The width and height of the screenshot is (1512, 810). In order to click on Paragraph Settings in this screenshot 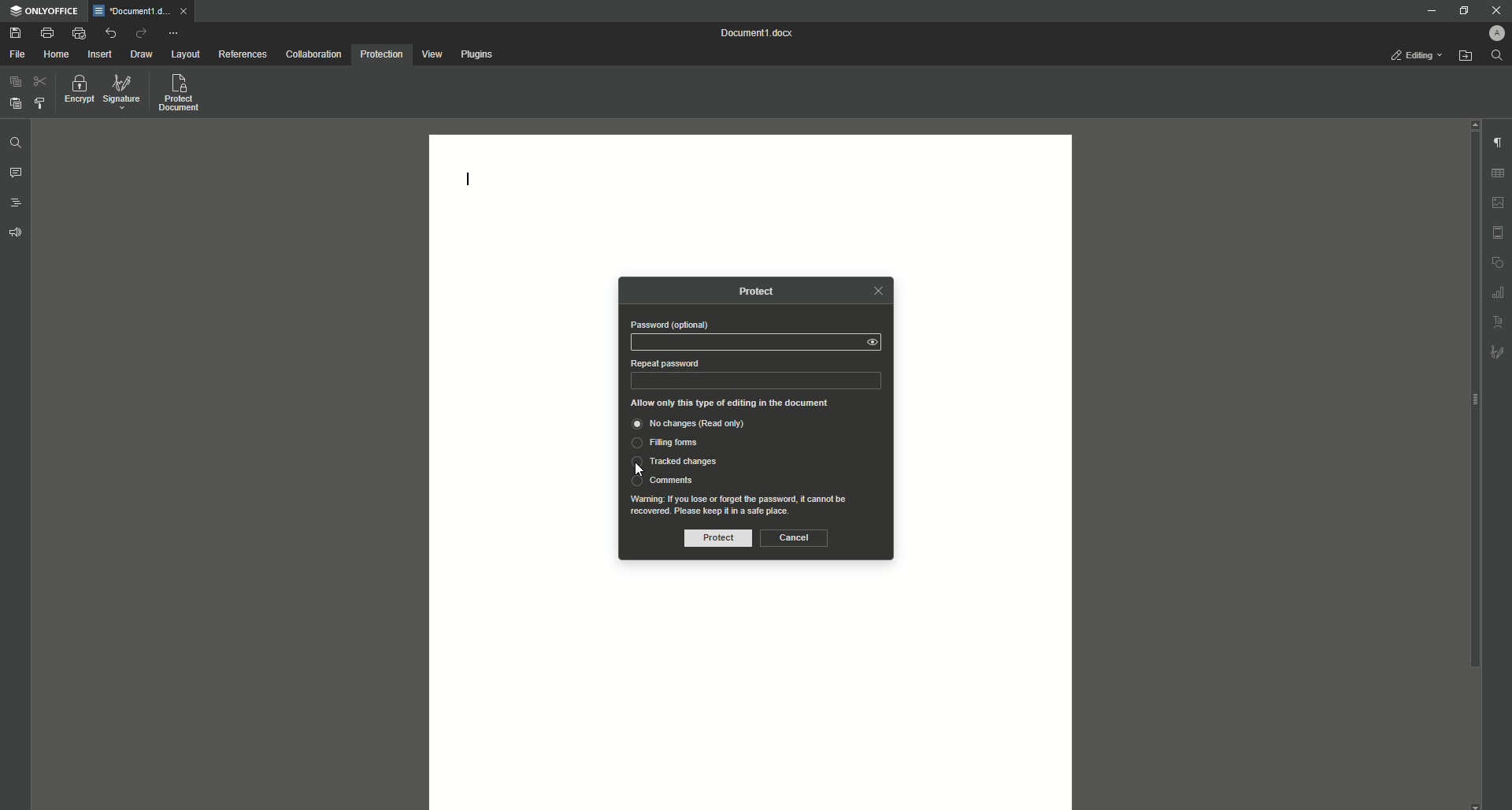, I will do `click(1498, 143)`.